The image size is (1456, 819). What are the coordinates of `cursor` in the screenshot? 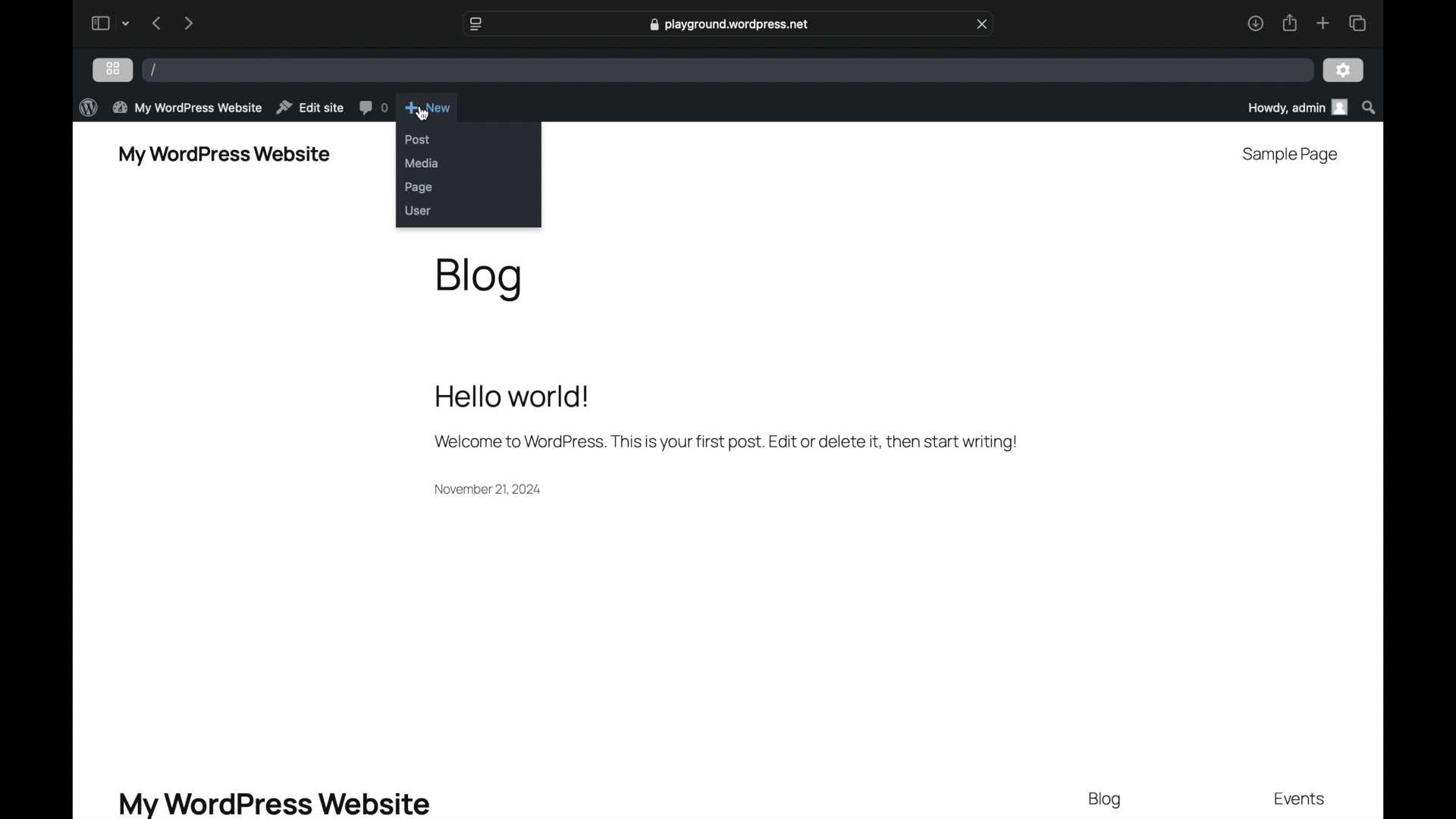 It's located at (423, 115).